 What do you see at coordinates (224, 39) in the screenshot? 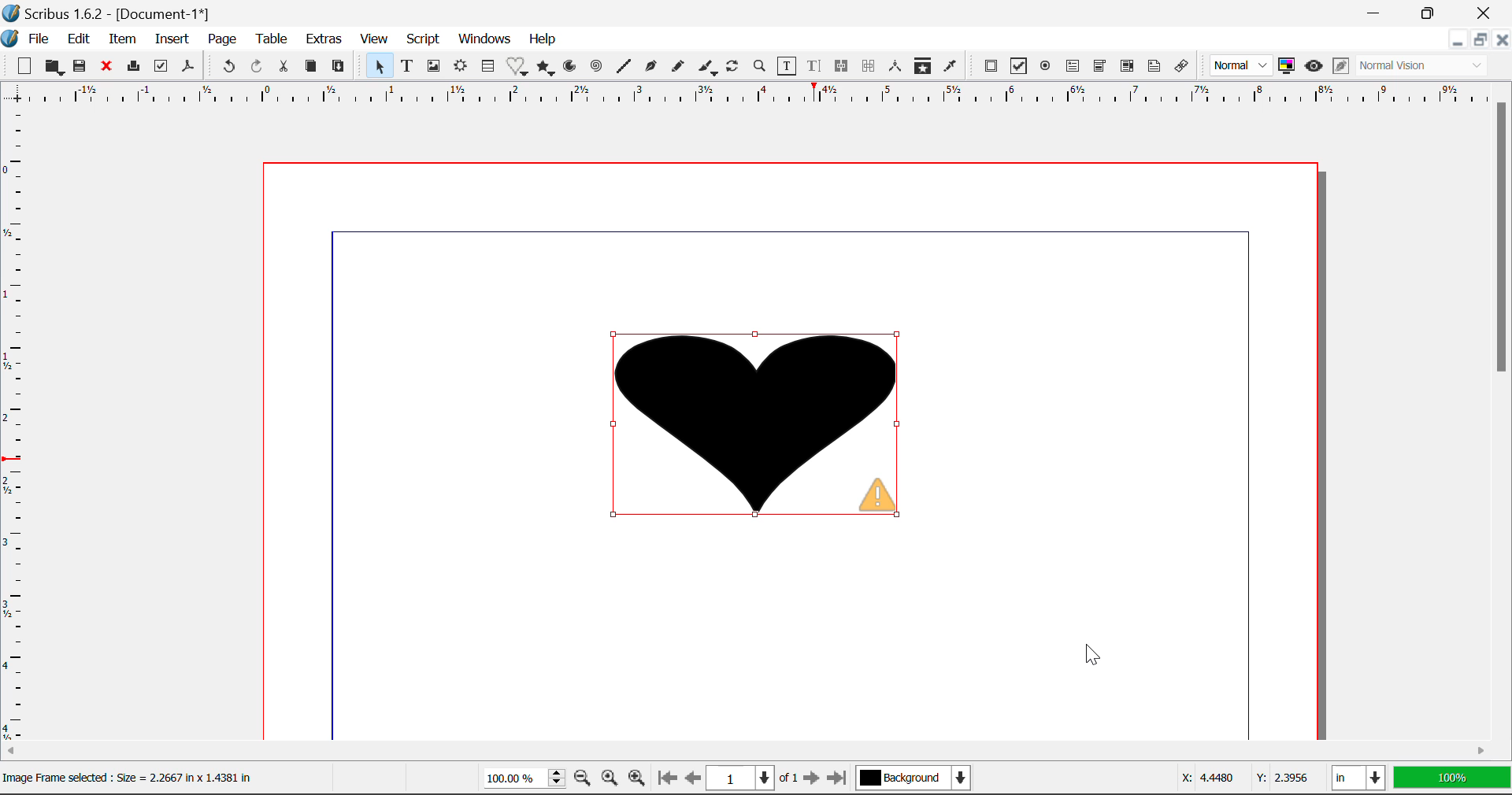
I see `Page` at bounding box center [224, 39].